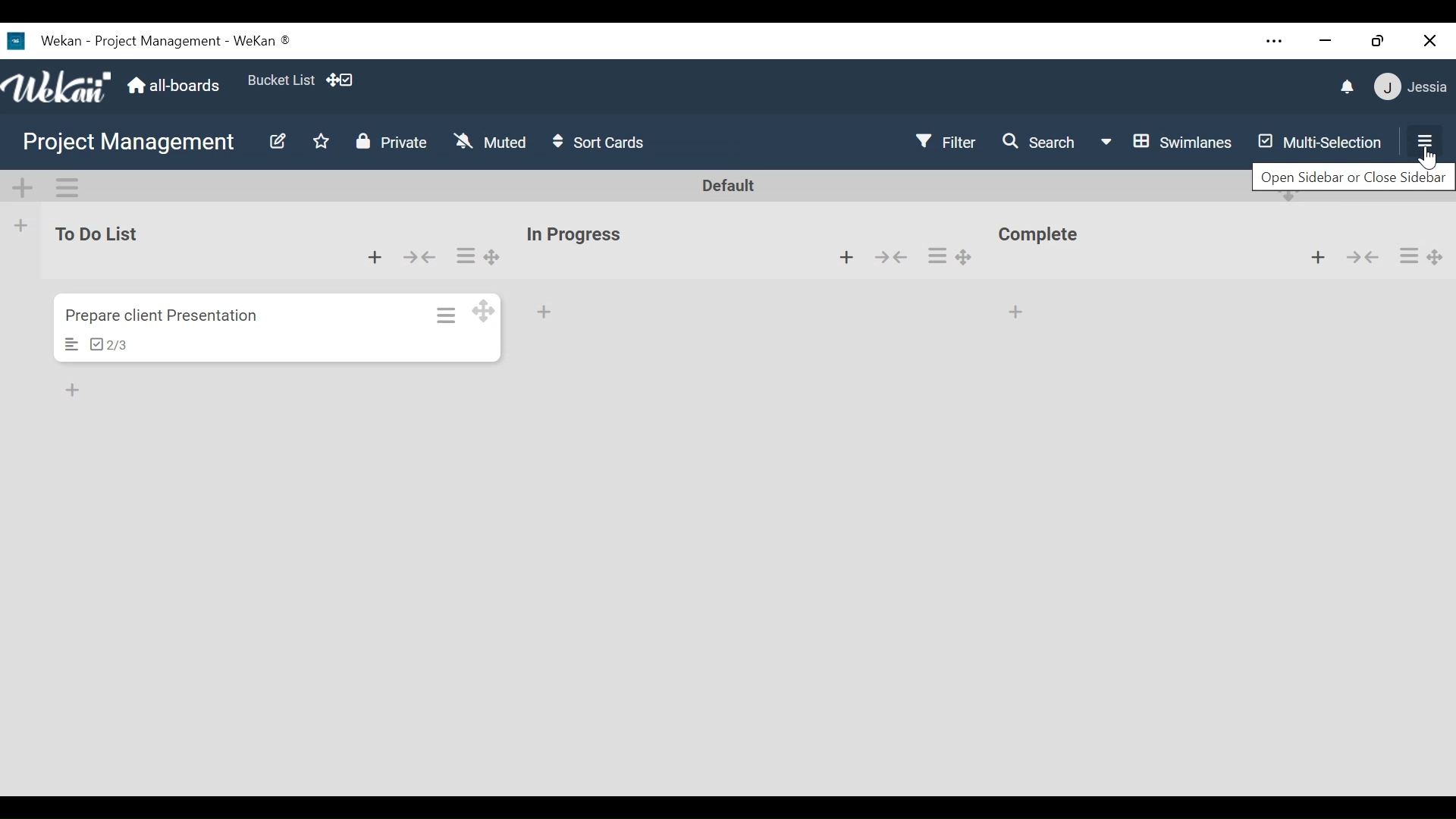 This screenshot has width=1456, height=819. Describe the element at coordinates (375, 256) in the screenshot. I see `Add card to bottom of thelist` at that location.